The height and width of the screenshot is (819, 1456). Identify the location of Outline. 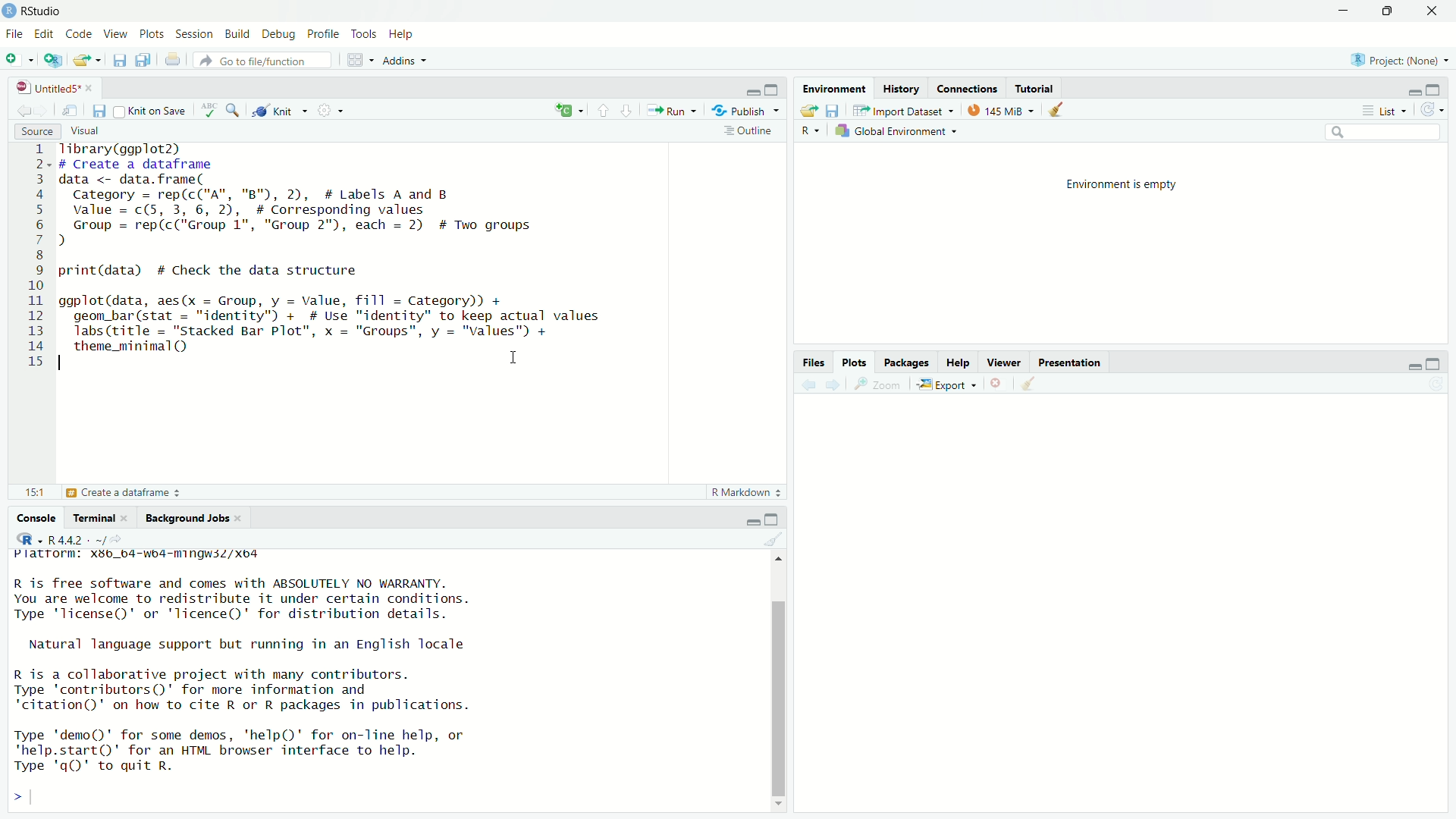
(752, 131).